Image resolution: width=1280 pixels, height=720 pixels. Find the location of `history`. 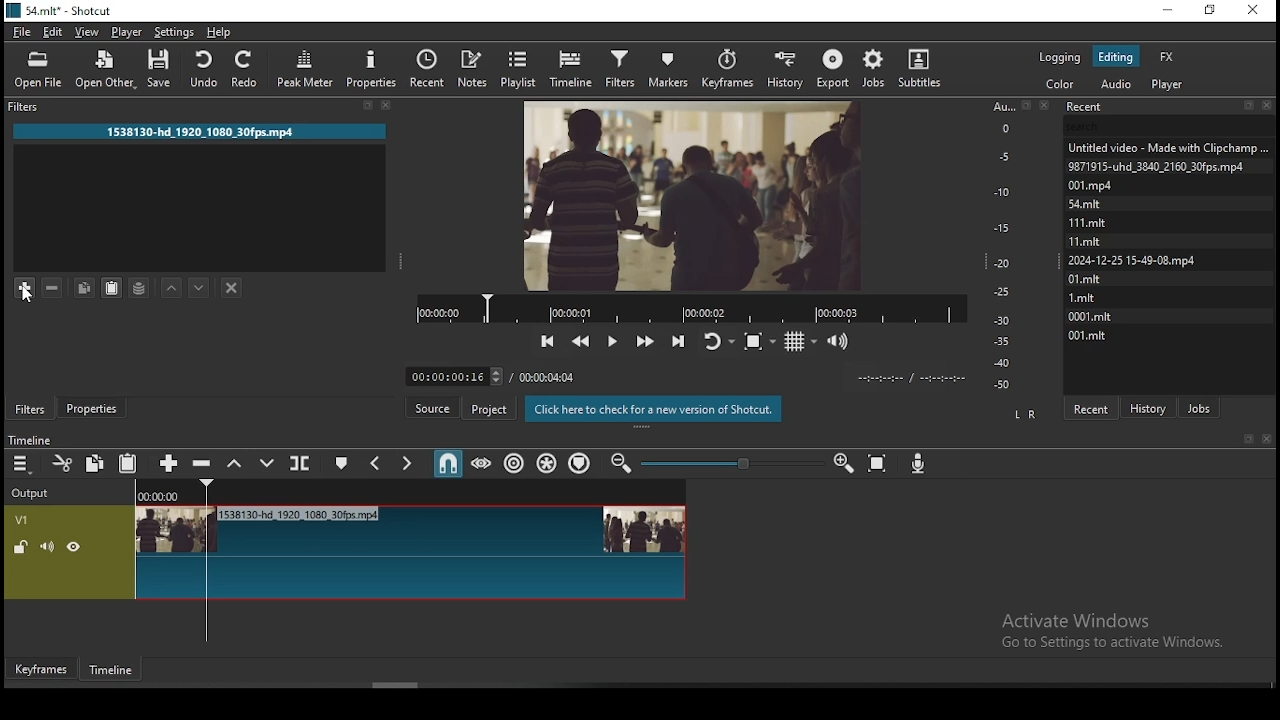

history is located at coordinates (786, 67).